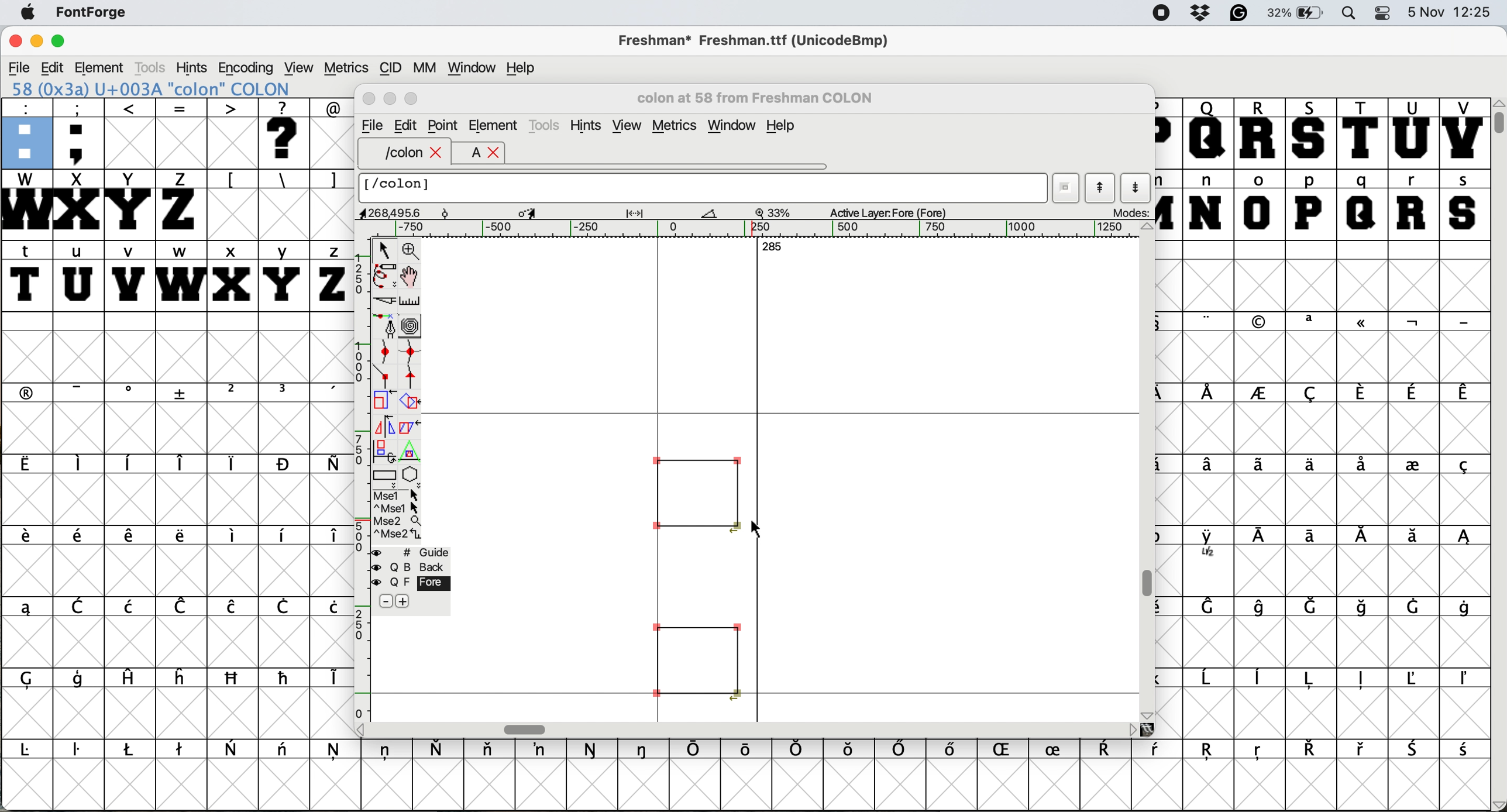 The height and width of the screenshot is (812, 1507). I want to click on symbol, so click(1309, 749).